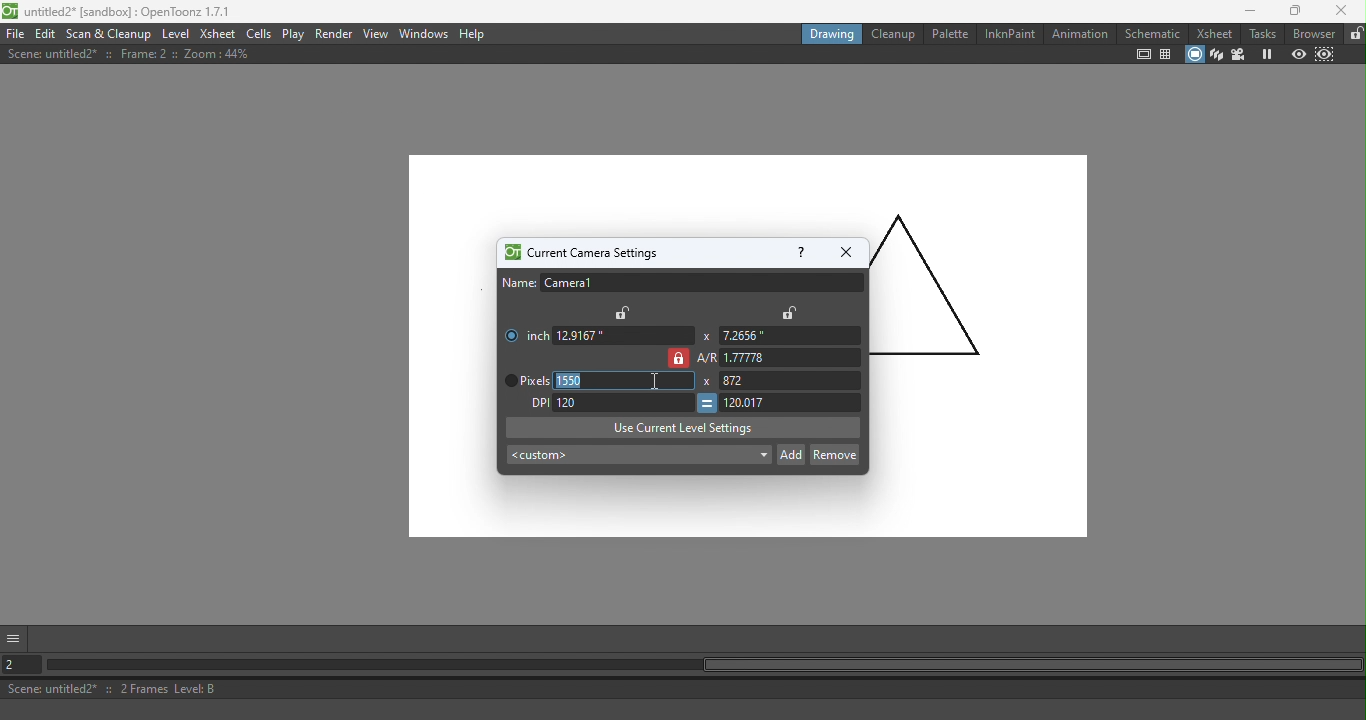  What do you see at coordinates (979, 389) in the screenshot?
I see `canvas` at bounding box center [979, 389].